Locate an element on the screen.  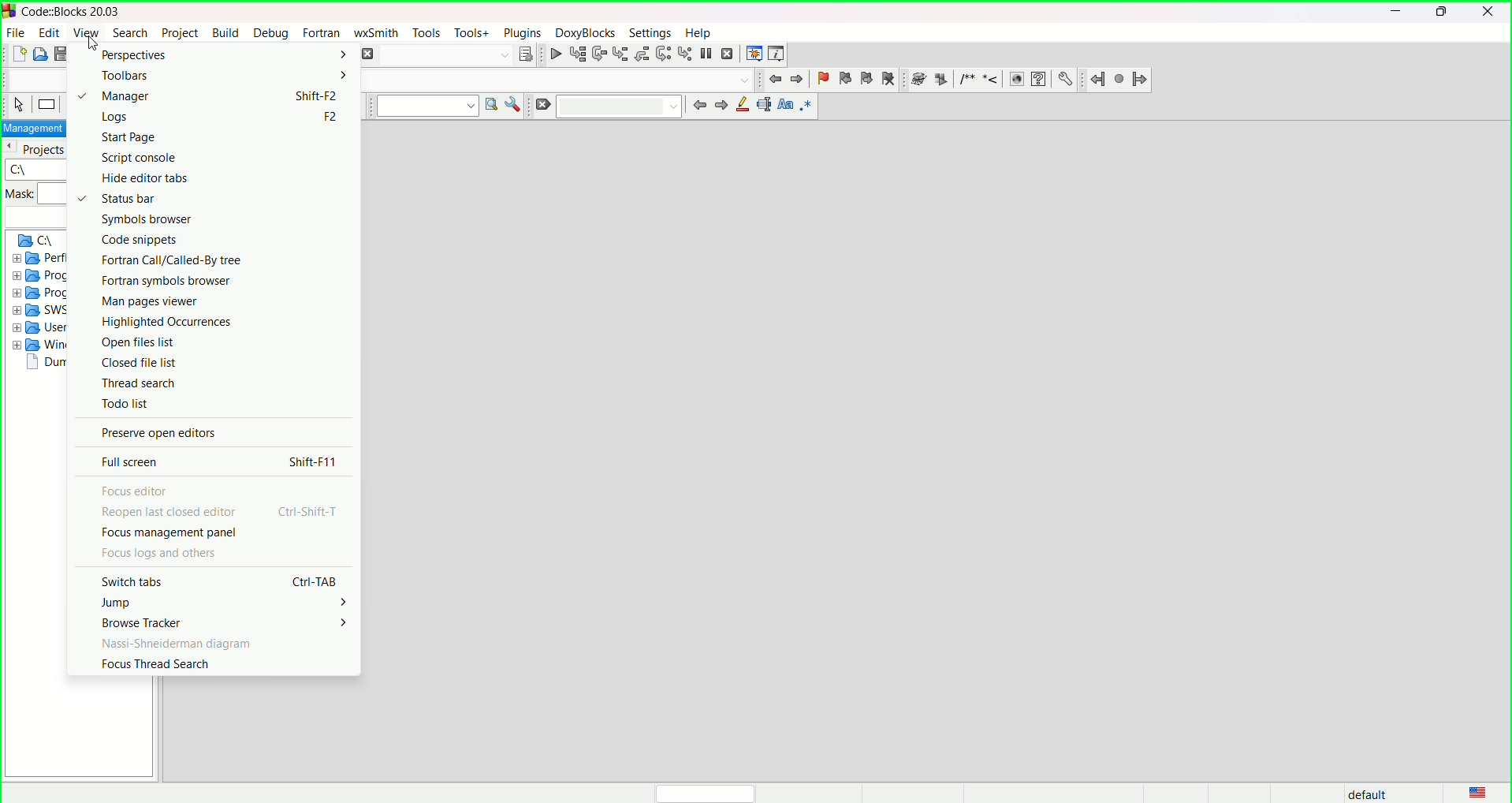
Insert comment block is located at coordinates (965, 80).